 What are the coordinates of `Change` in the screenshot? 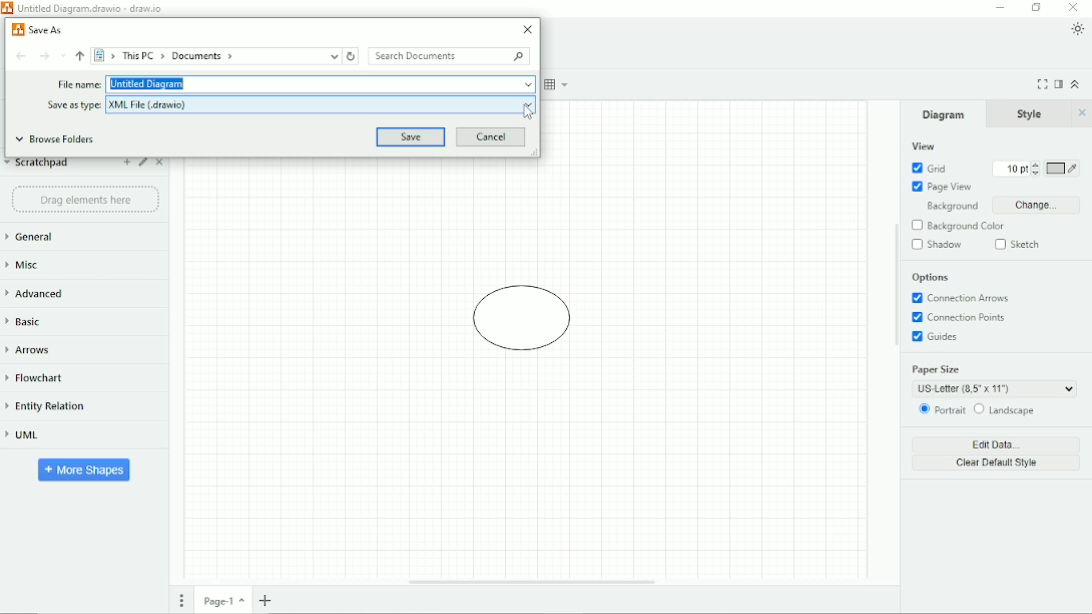 It's located at (1041, 205).